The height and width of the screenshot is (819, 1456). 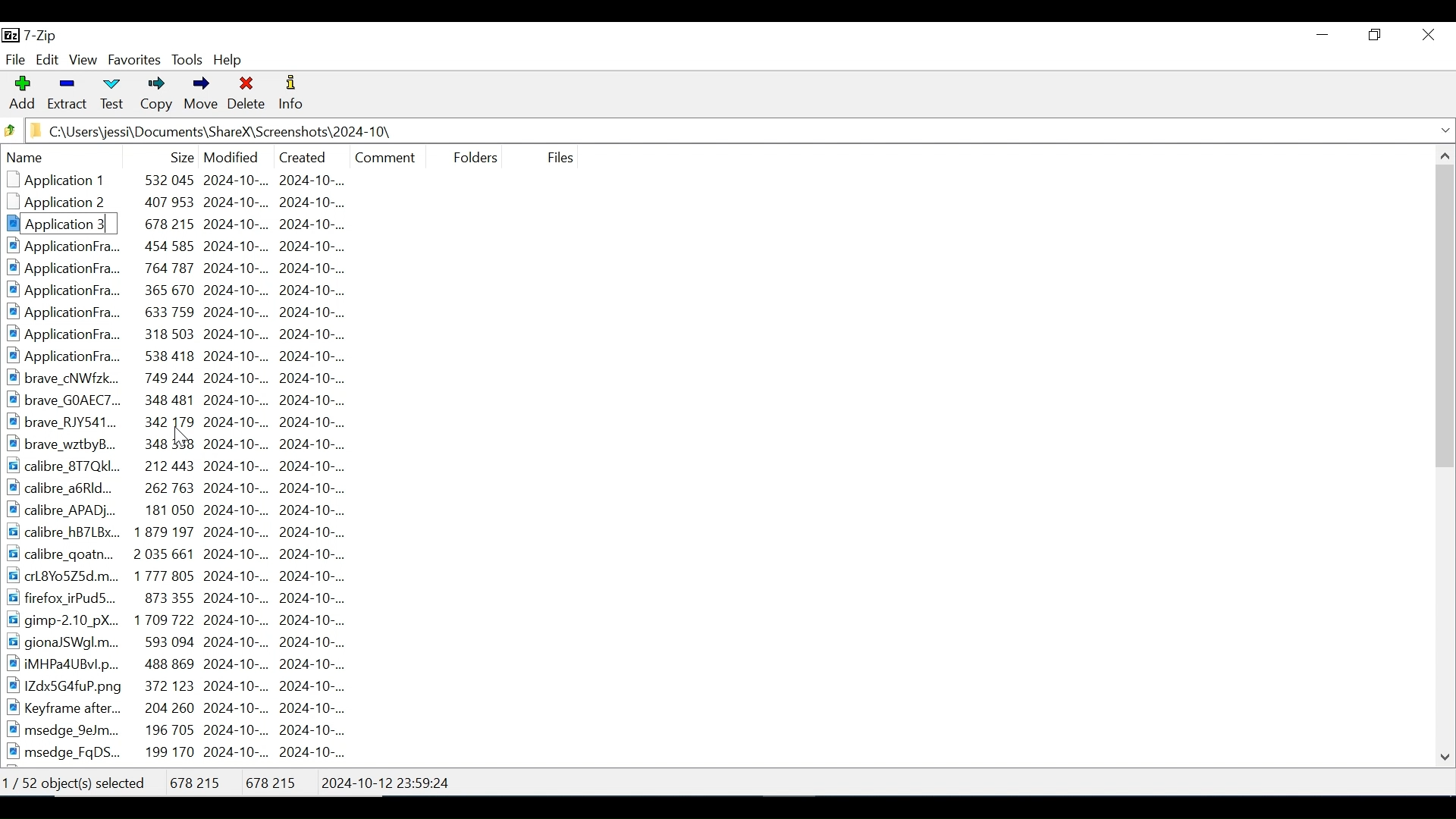 I want to click on calibre_goatn... 2035661 2024-10-... 2024-10-..., so click(x=199, y=554).